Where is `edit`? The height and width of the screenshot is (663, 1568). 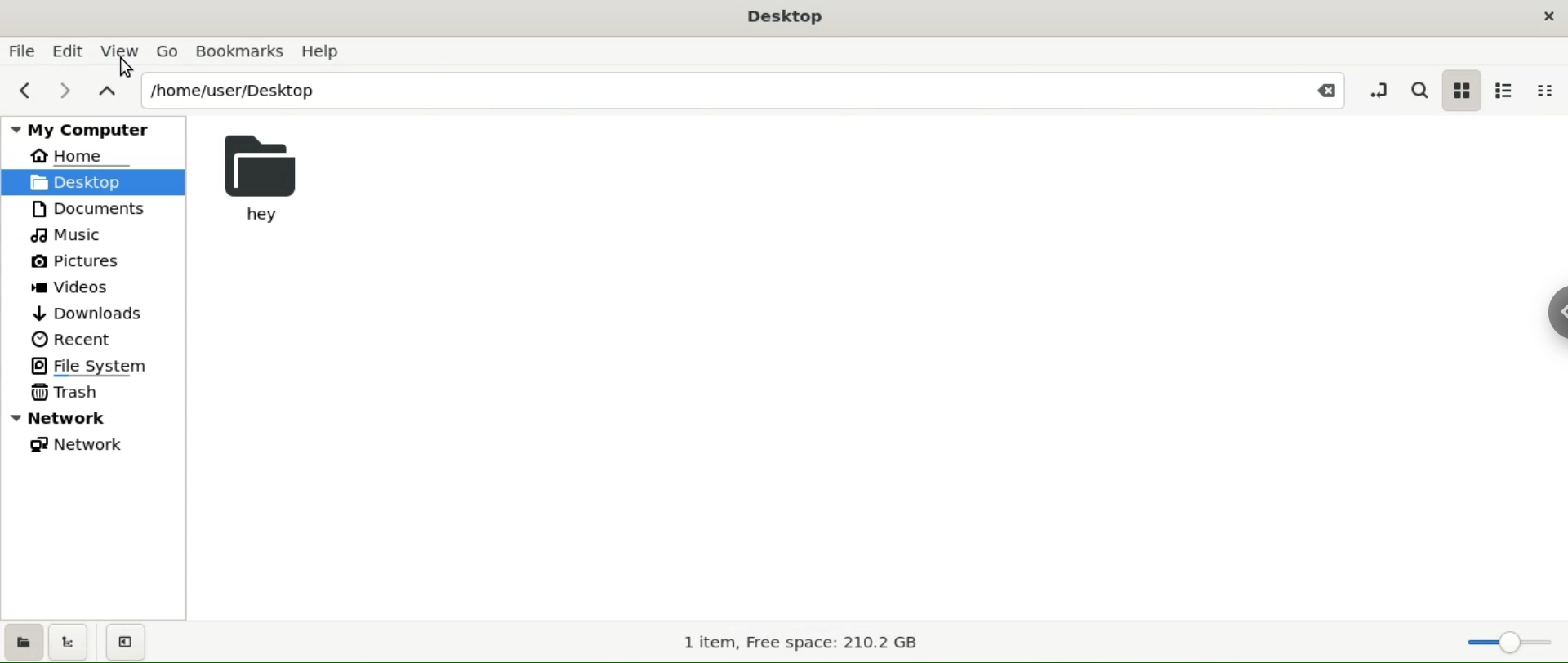
edit is located at coordinates (73, 51).